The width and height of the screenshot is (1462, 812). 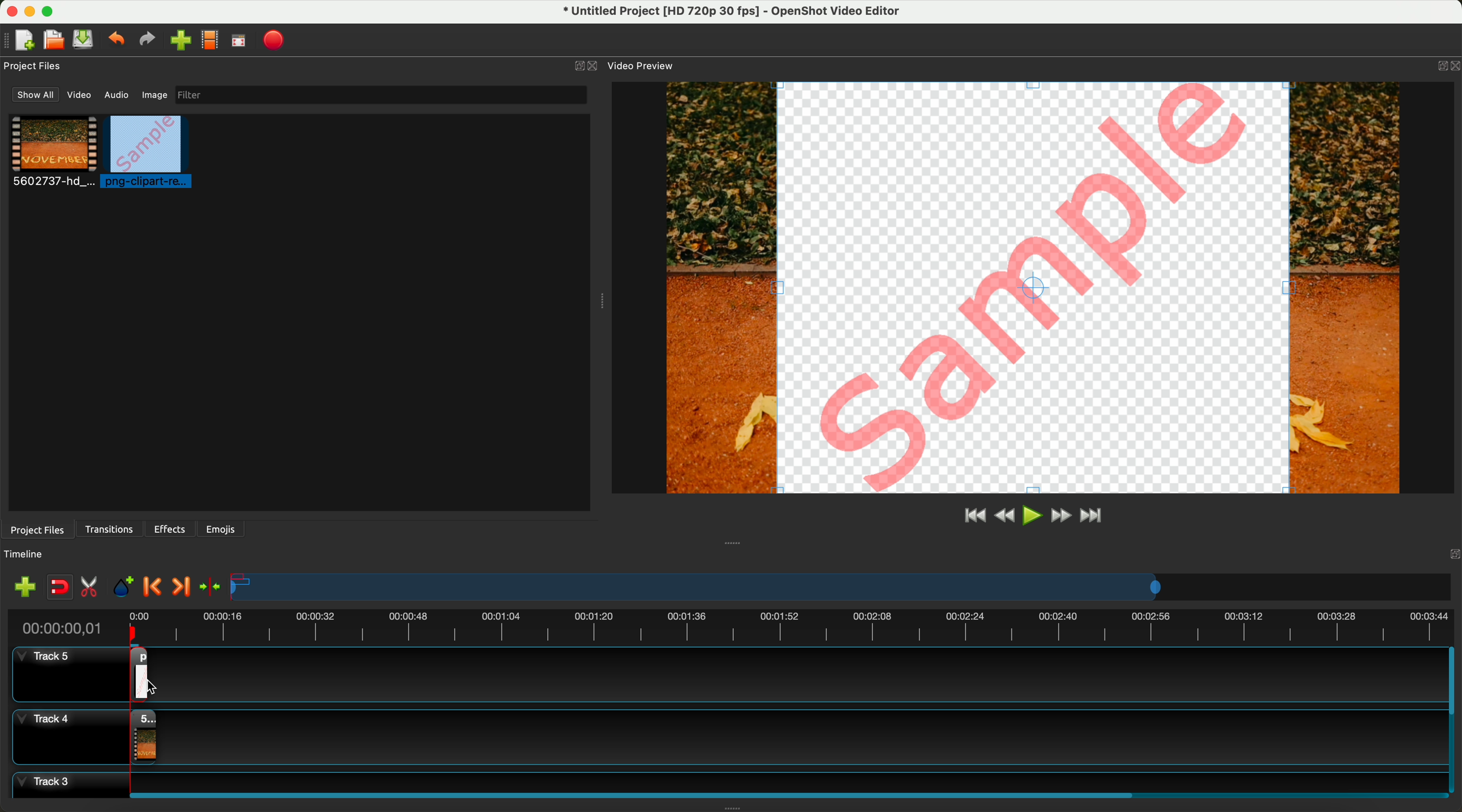 I want to click on file name, so click(x=725, y=13).